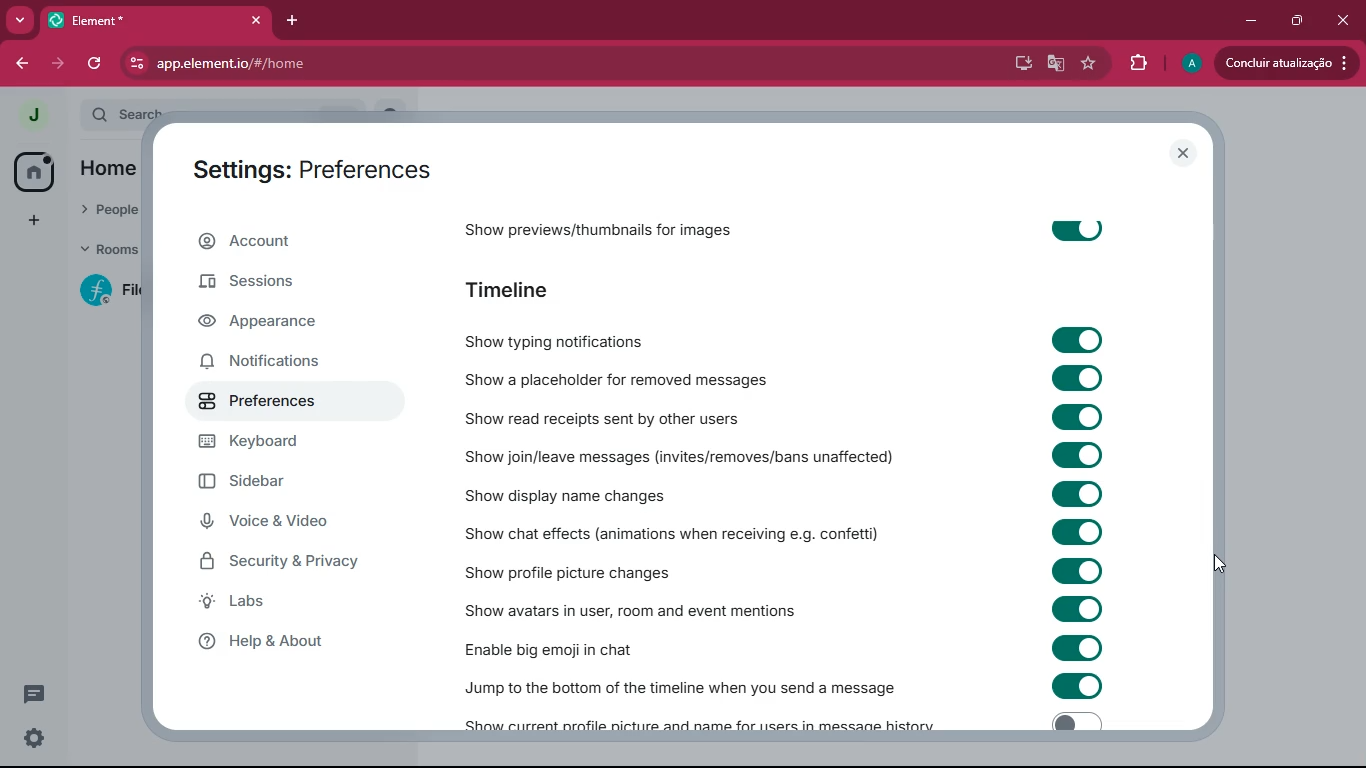 This screenshot has width=1366, height=768. I want to click on app.element.io/#/home, so click(324, 63).